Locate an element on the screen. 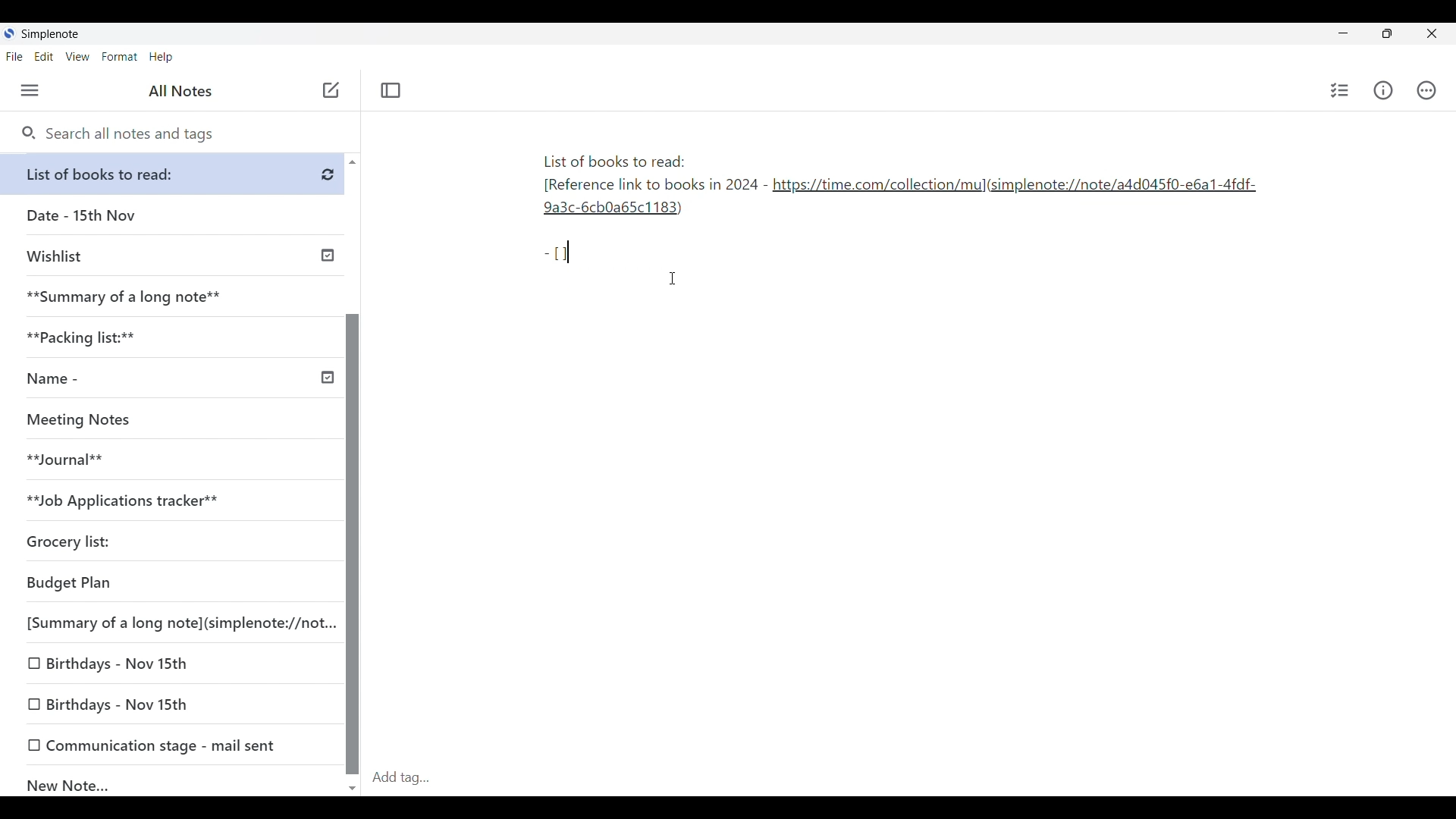 This screenshot has height=819, width=1456. Cursor is located at coordinates (674, 278).